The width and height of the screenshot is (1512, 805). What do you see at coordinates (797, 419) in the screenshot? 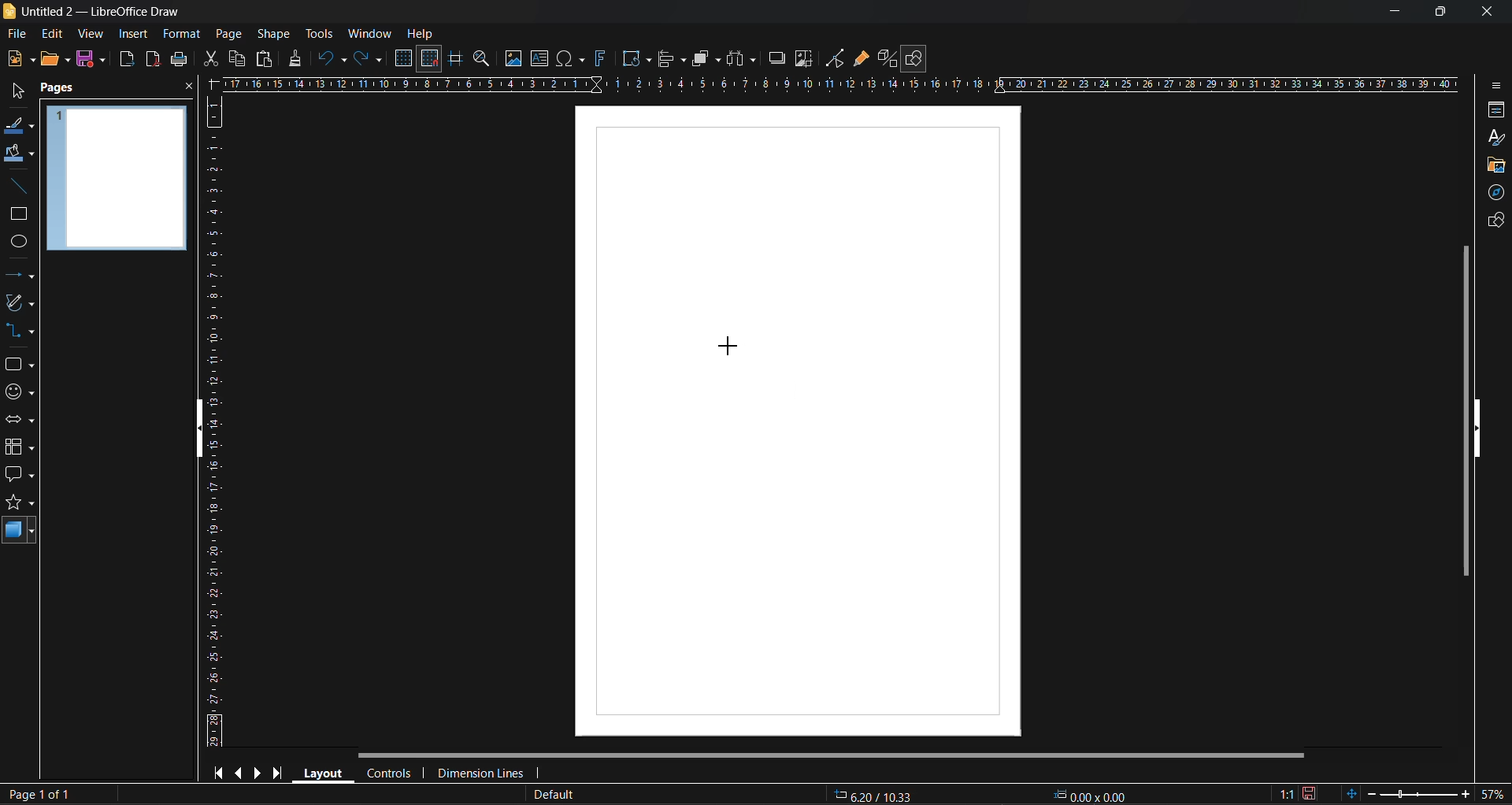
I see `working area` at bounding box center [797, 419].